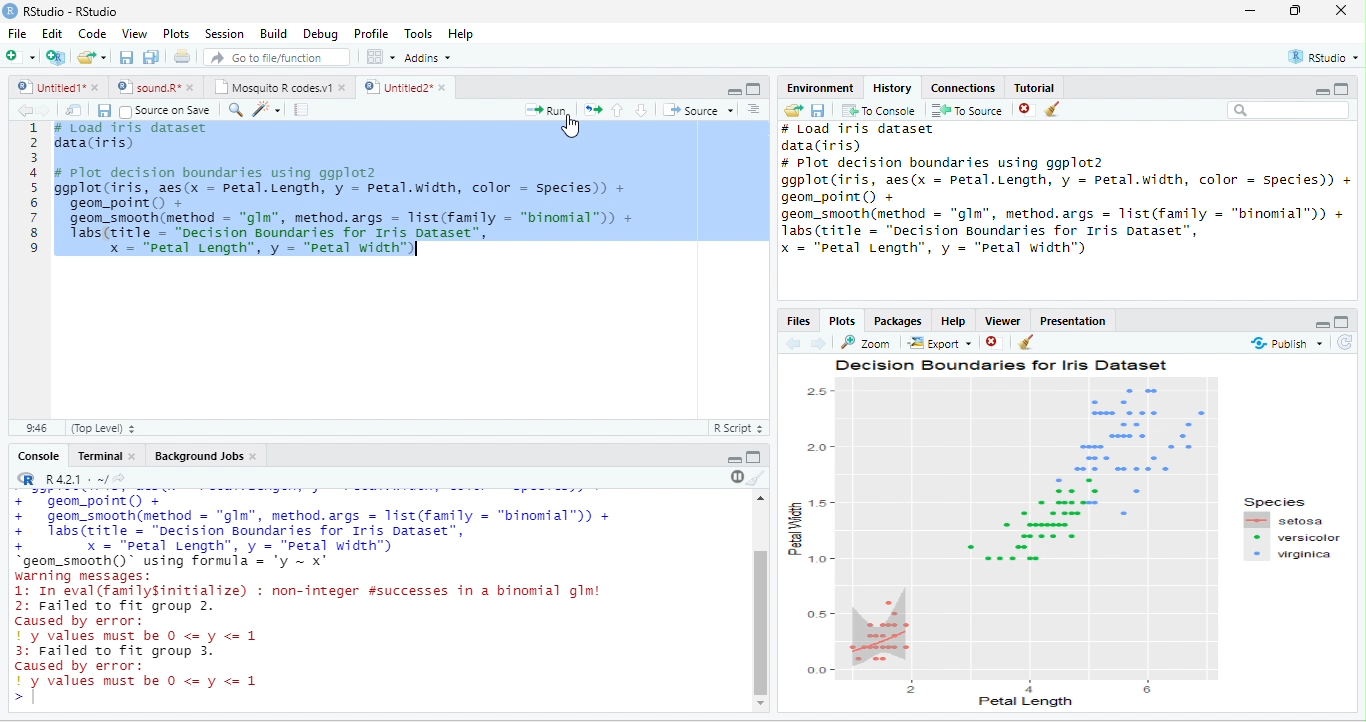  I want to click on To source, so click(965, 111).